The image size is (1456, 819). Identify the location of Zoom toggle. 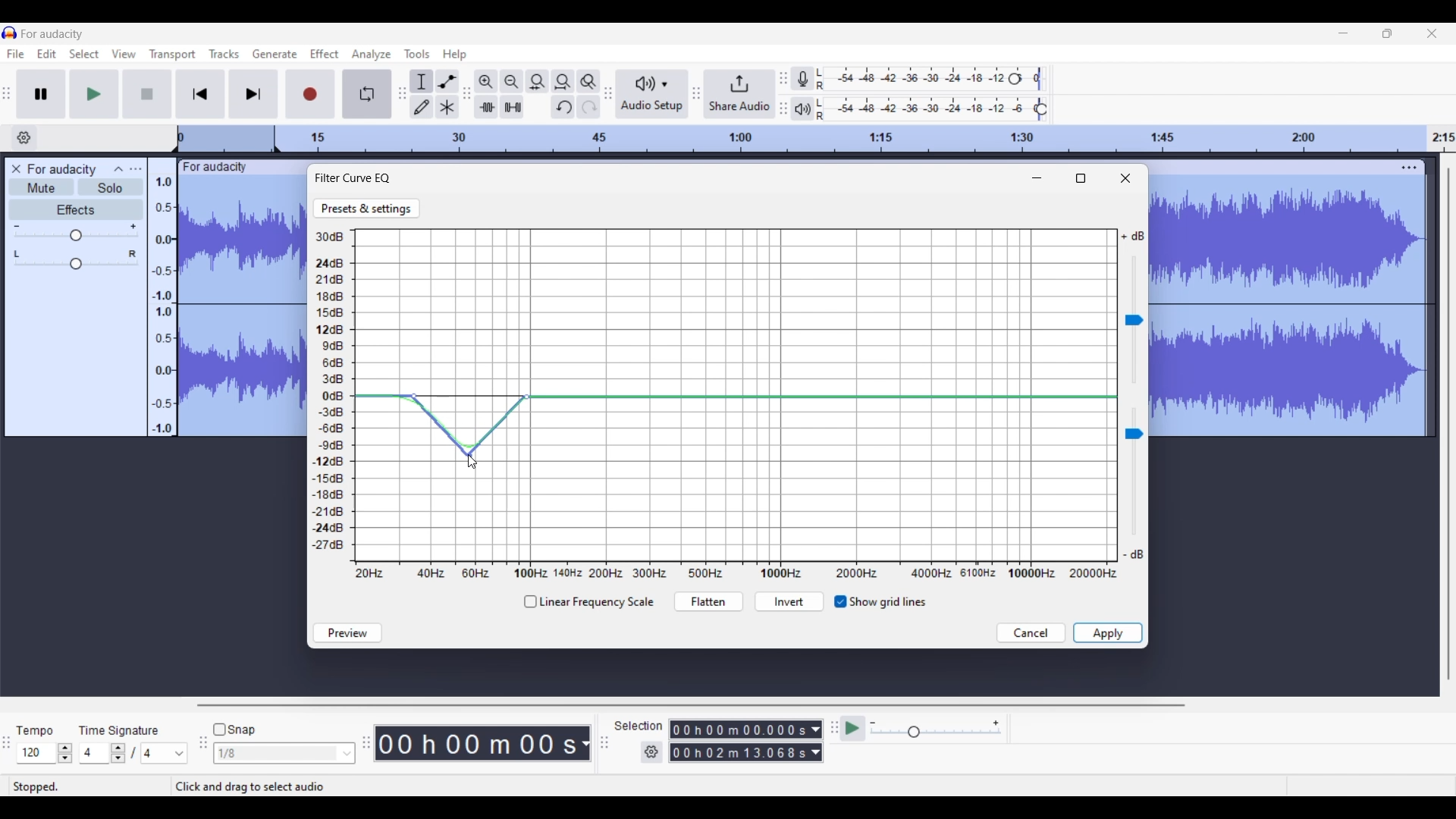
(589, 81).